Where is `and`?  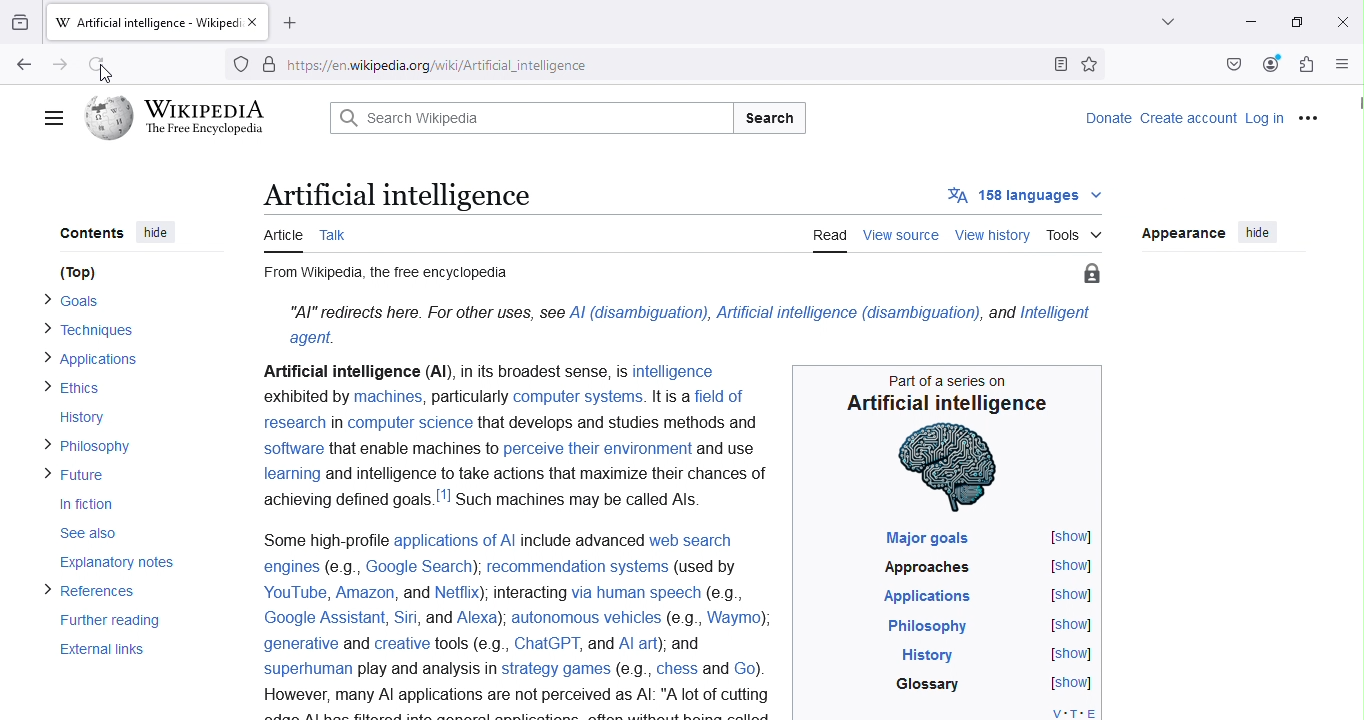 and is located at coordinates (437, 619).